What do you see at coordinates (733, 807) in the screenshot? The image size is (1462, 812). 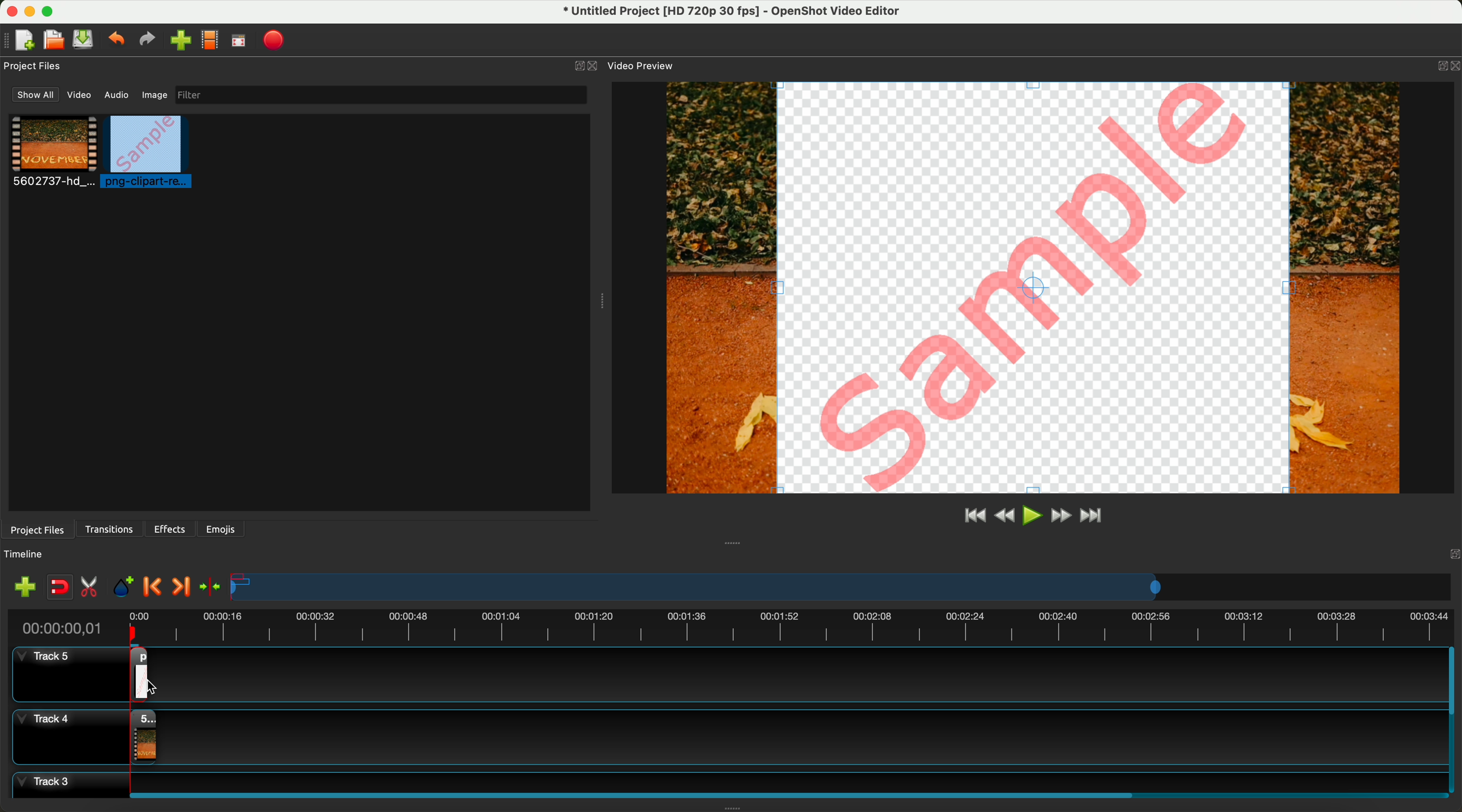 I see `Window Expanding` at bounding box center [733, 807].